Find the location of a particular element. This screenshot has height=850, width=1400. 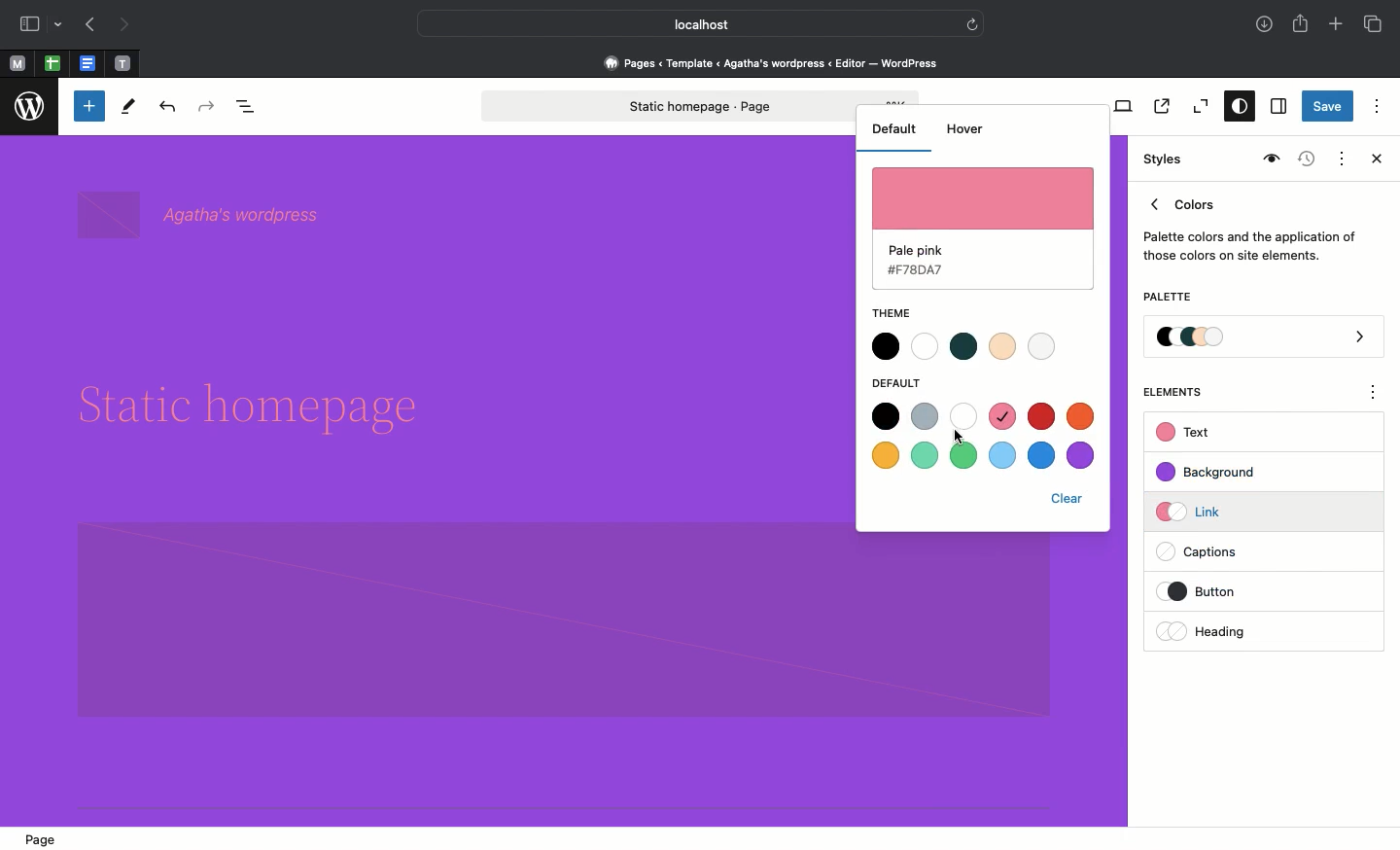

Redo is located at coordinates (209, 107).